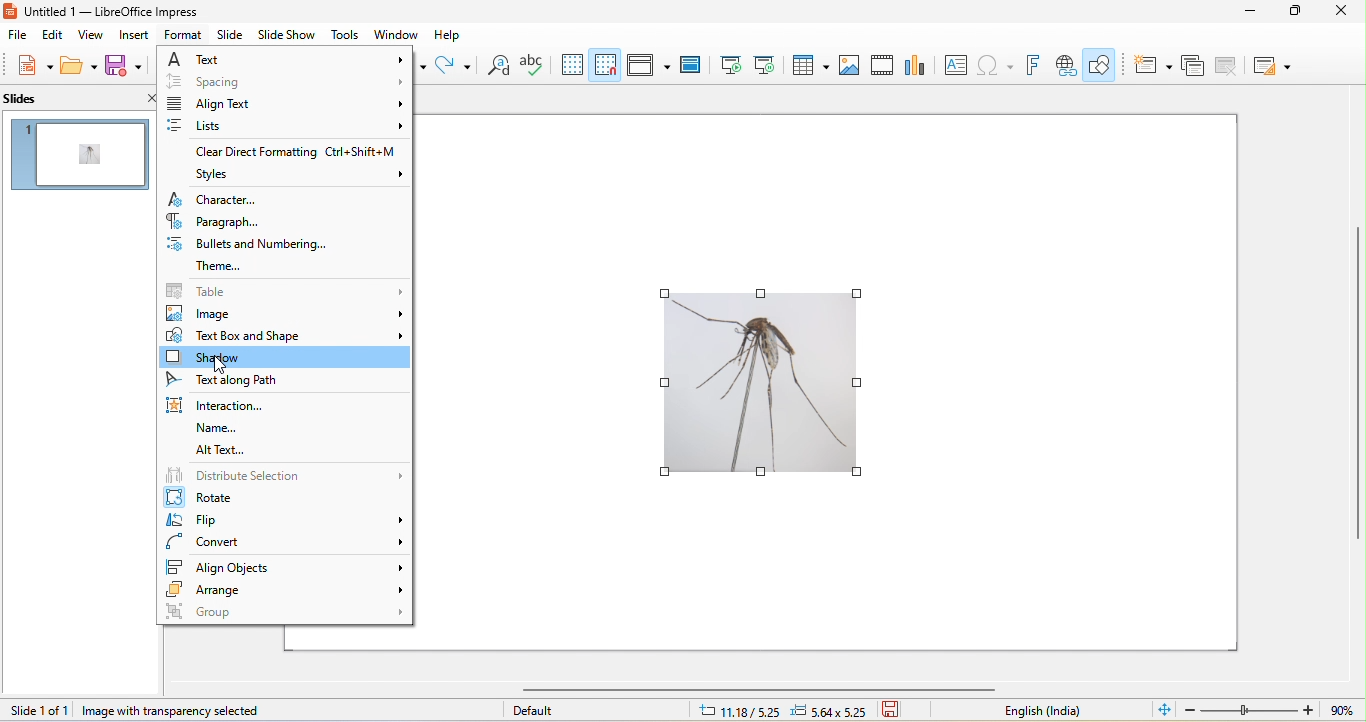 The height and width of the screenshot is (722, 1366). Describe the element at coordinates (285, 497) in the screenshot. I see `rotate` at that location.